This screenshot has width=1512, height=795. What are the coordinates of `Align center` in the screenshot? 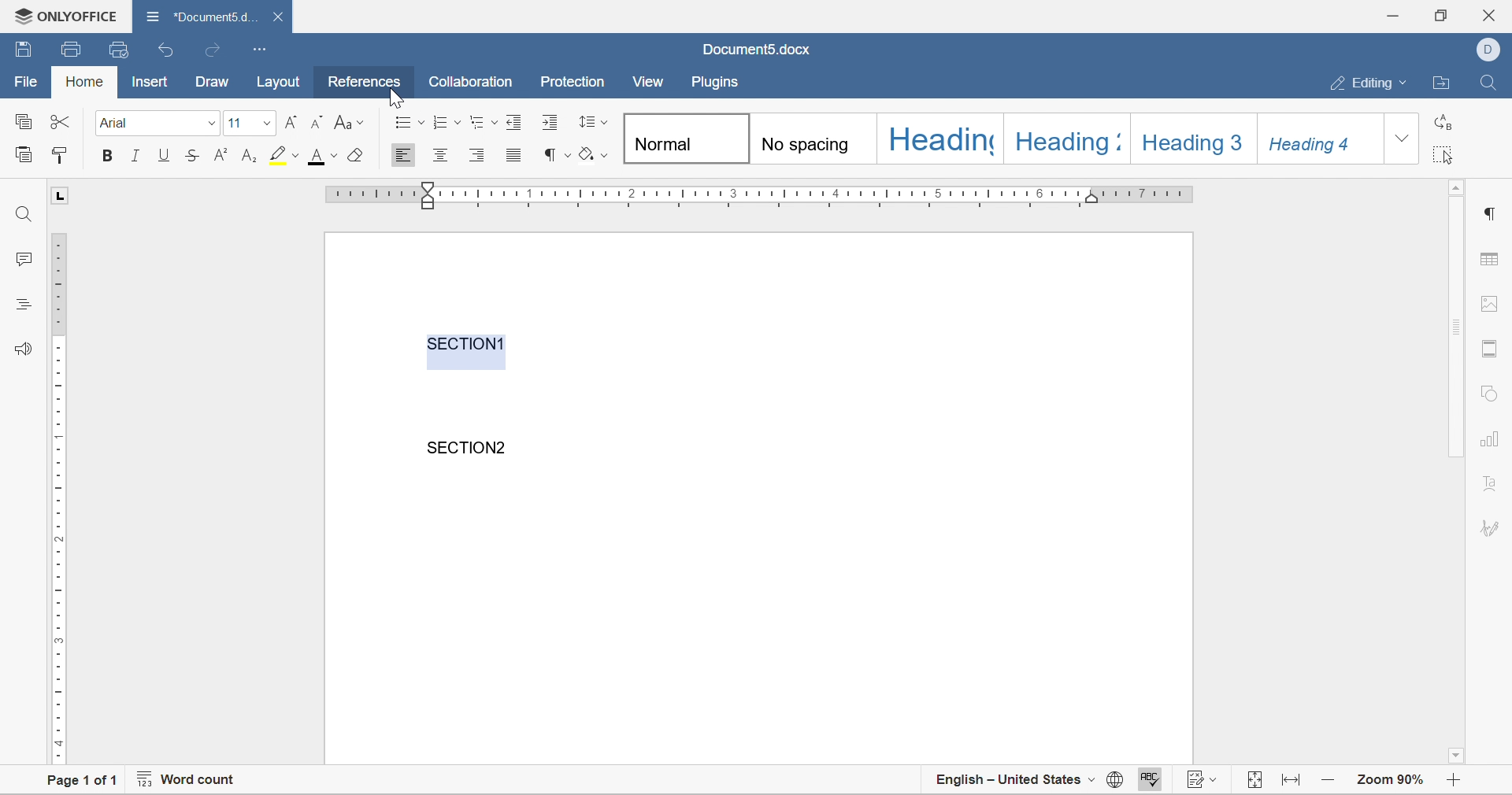 It's located at (440, 153).